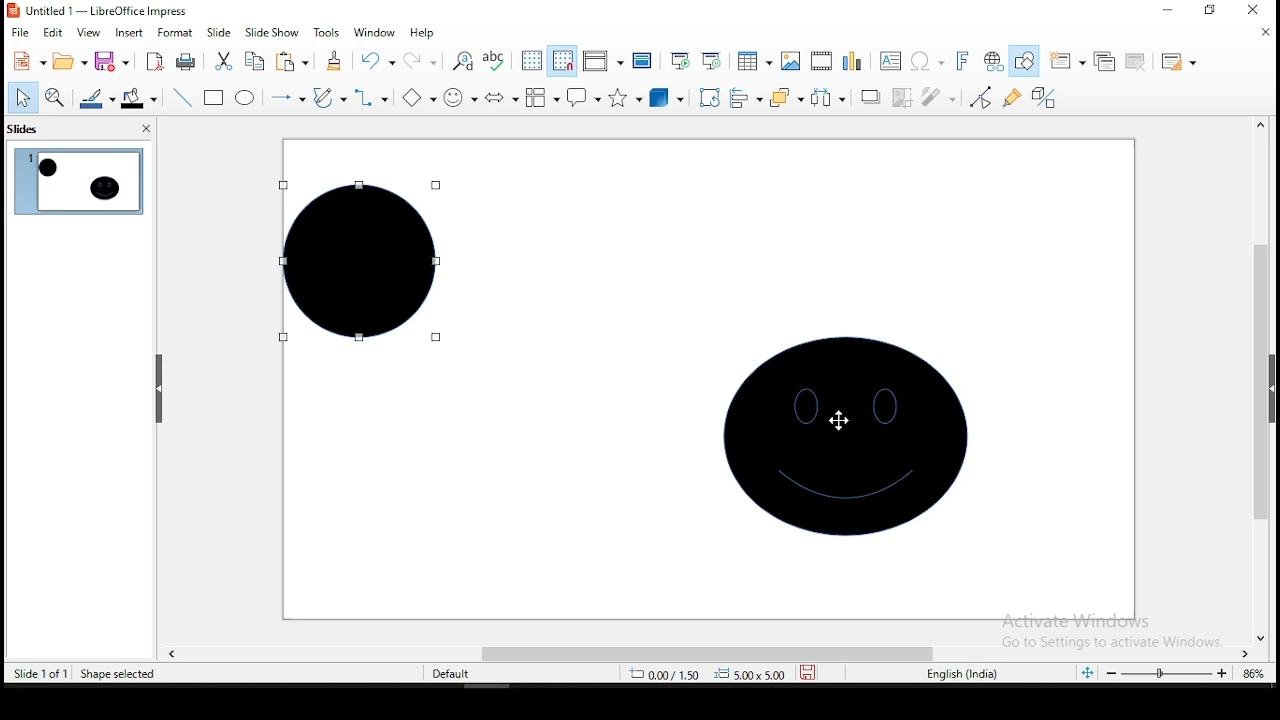 The image size is (1280, 720). I want to click on align objects, so click(745, 100).